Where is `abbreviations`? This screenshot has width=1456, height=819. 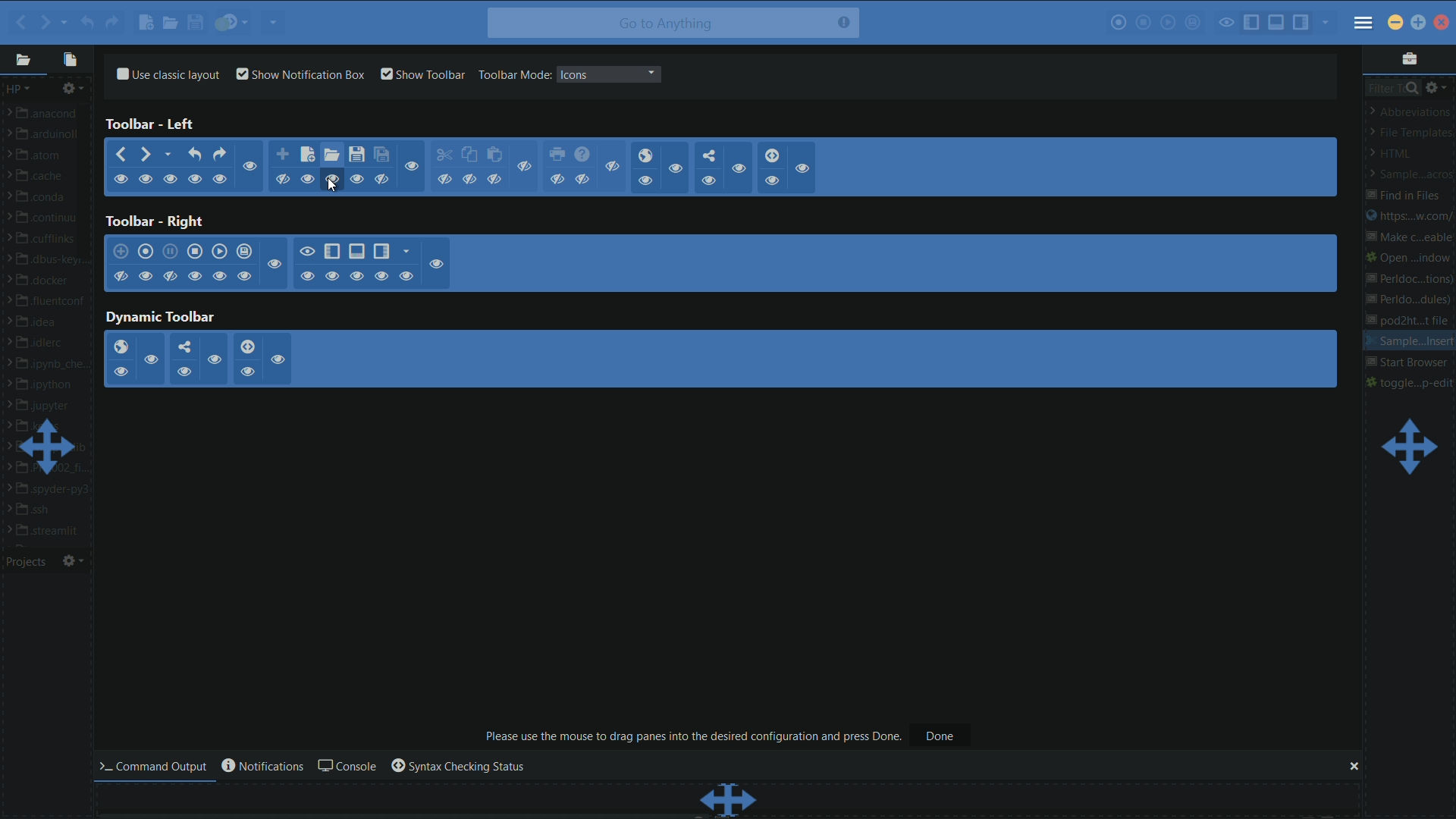 abbreviations is located at coordinates (1411, 111).